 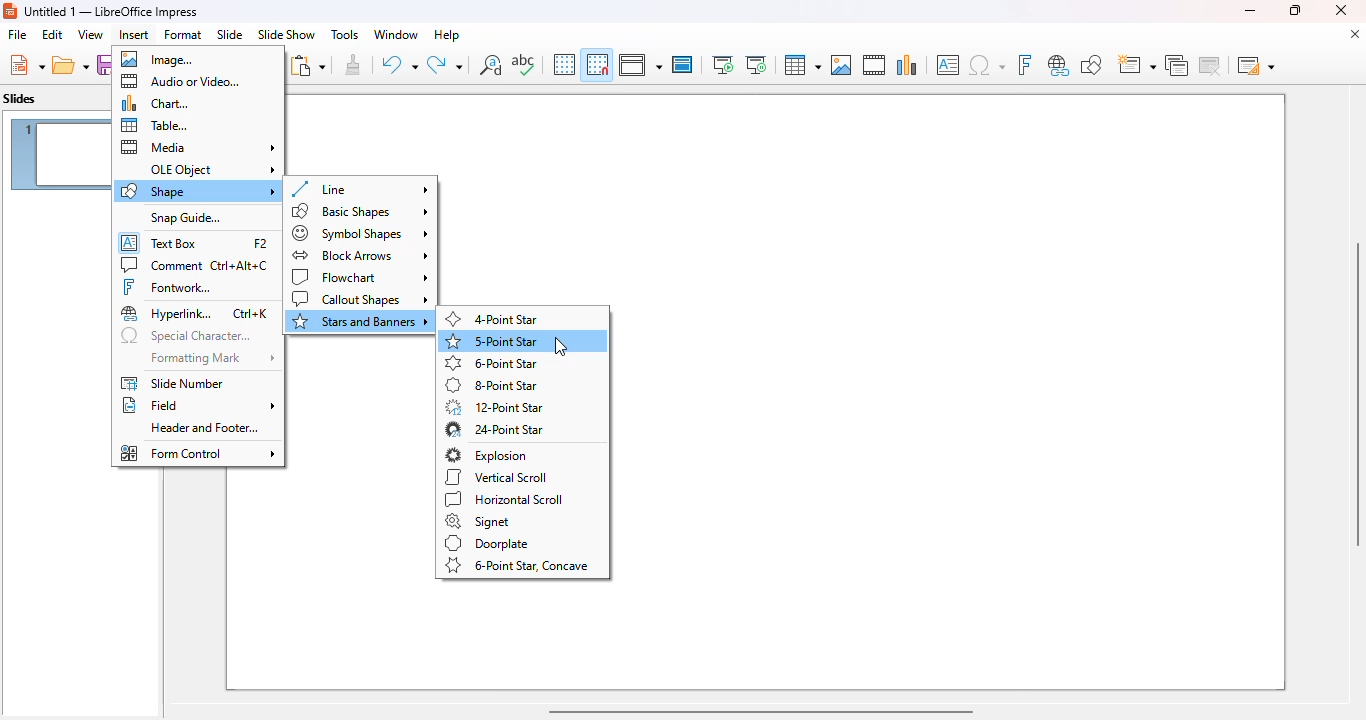 What do you see at coordinates (212, 170) in the screenshot?
I see `OLE object` at bounding box center [212, 170].